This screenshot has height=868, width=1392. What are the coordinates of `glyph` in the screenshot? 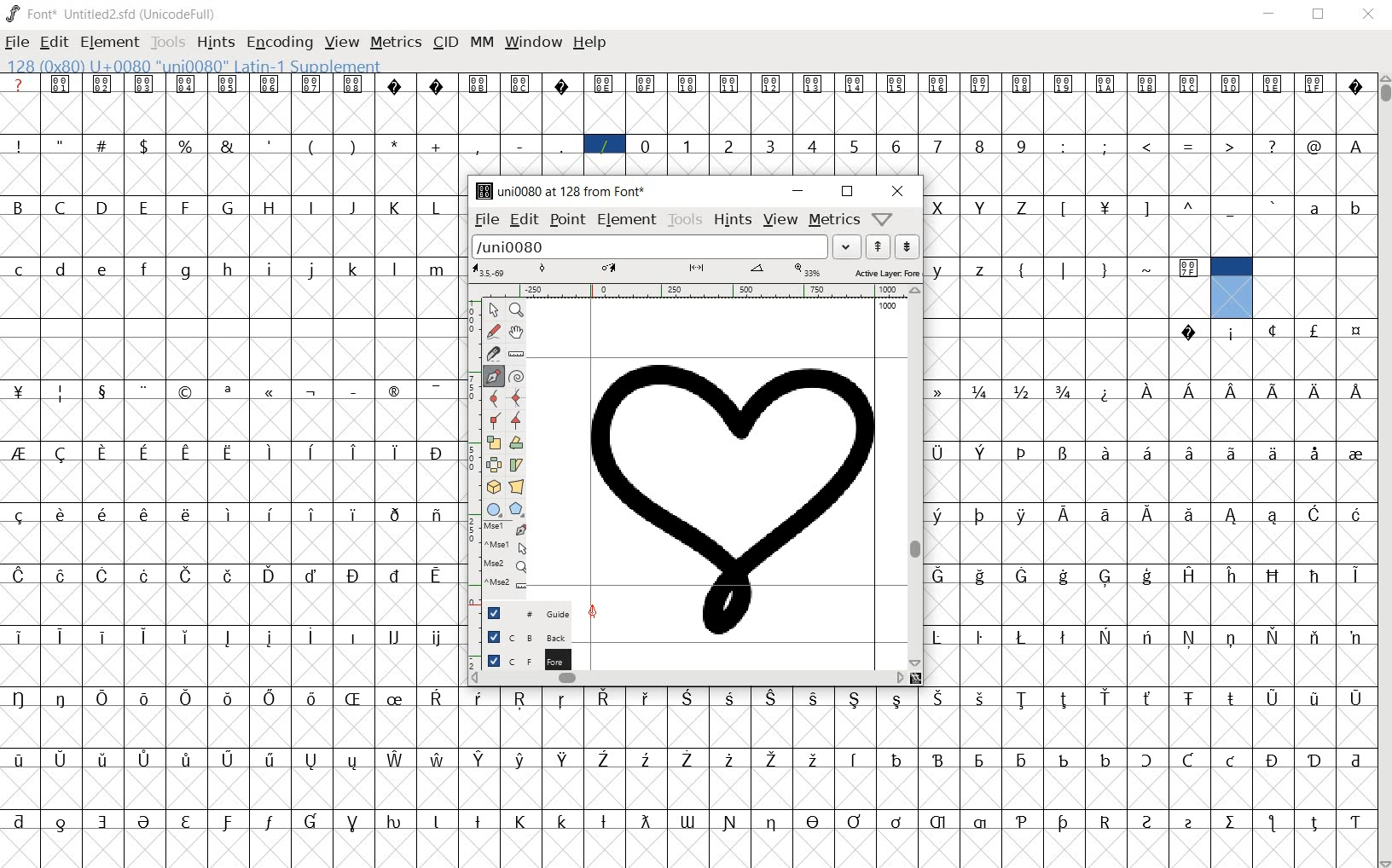 It's located at (105, 270).